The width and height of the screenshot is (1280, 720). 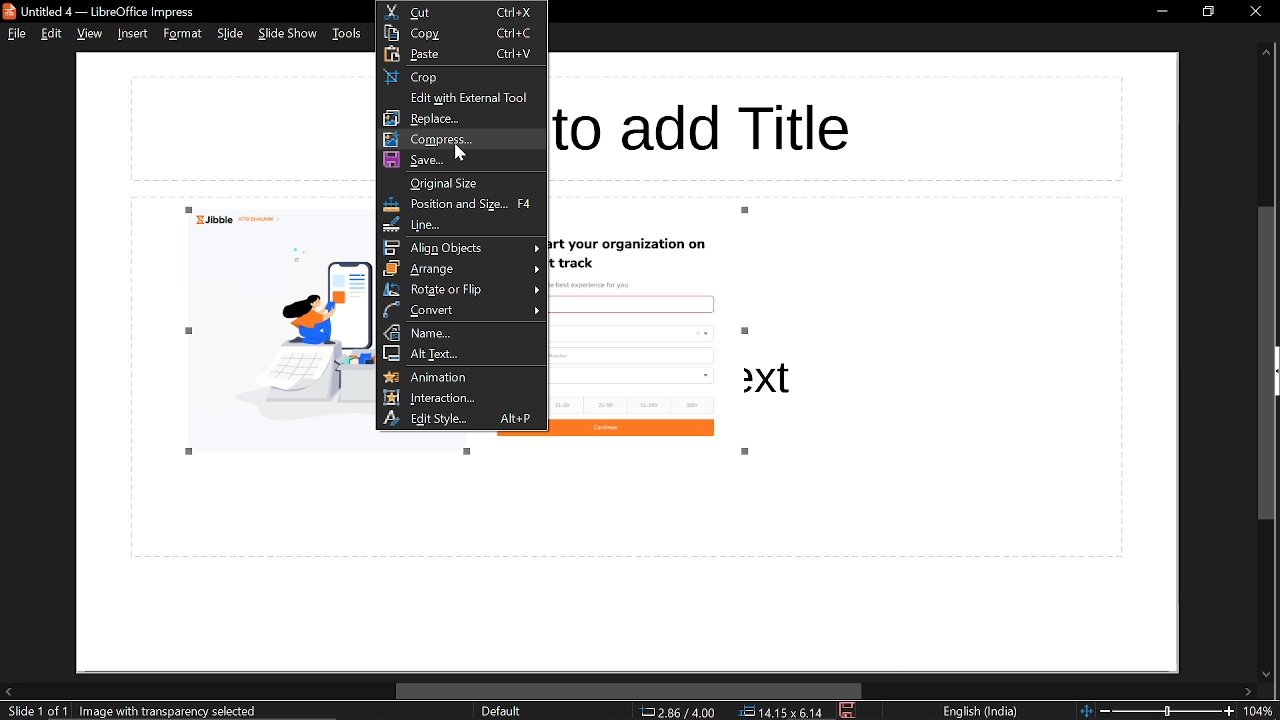 What do you see at coordinates (1262, 712) in the screenshot?
I see `current zoom` at bounding box center [1262, 712].